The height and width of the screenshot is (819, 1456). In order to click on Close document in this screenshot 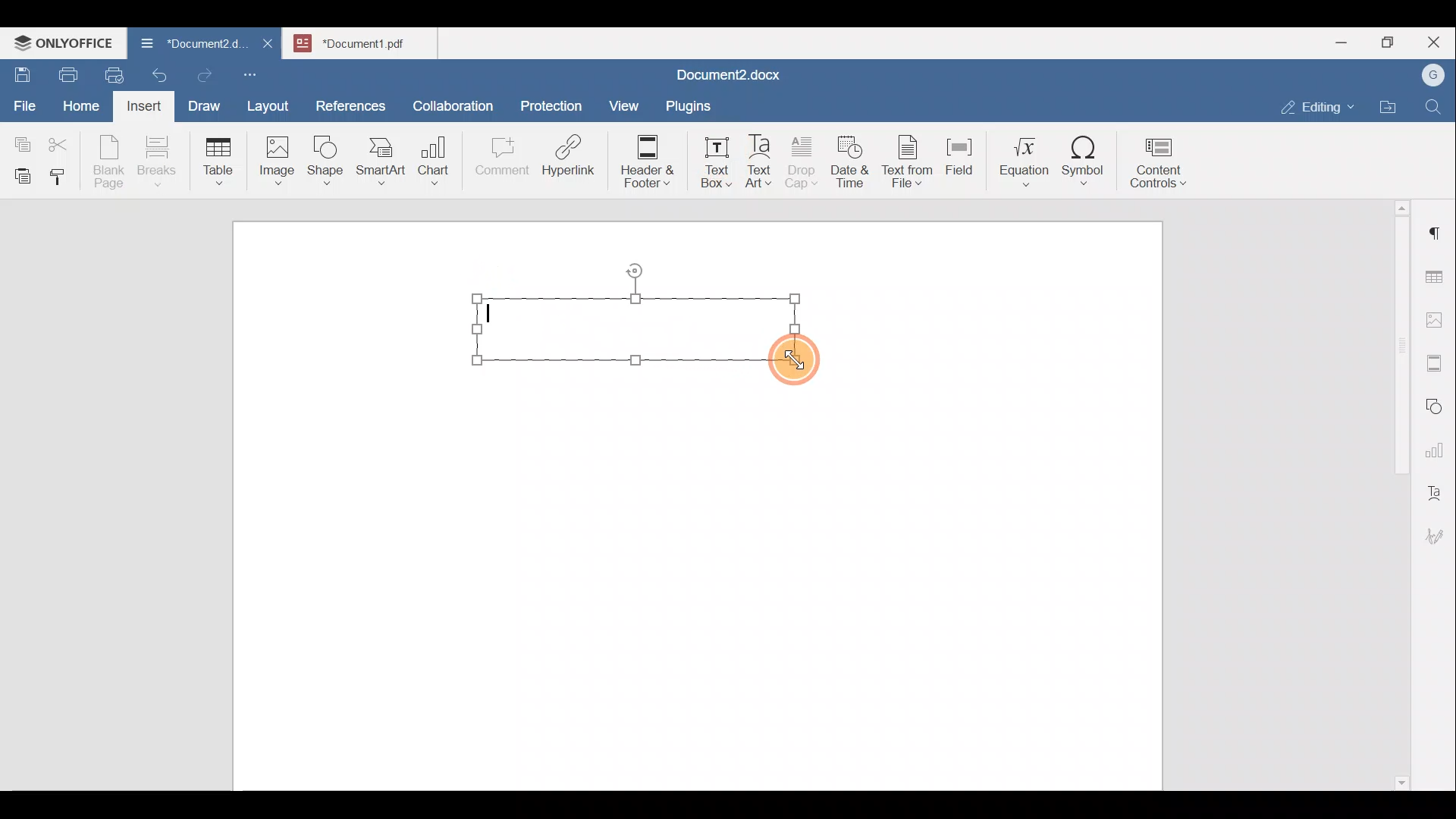, I will do `click(268, 45)`.